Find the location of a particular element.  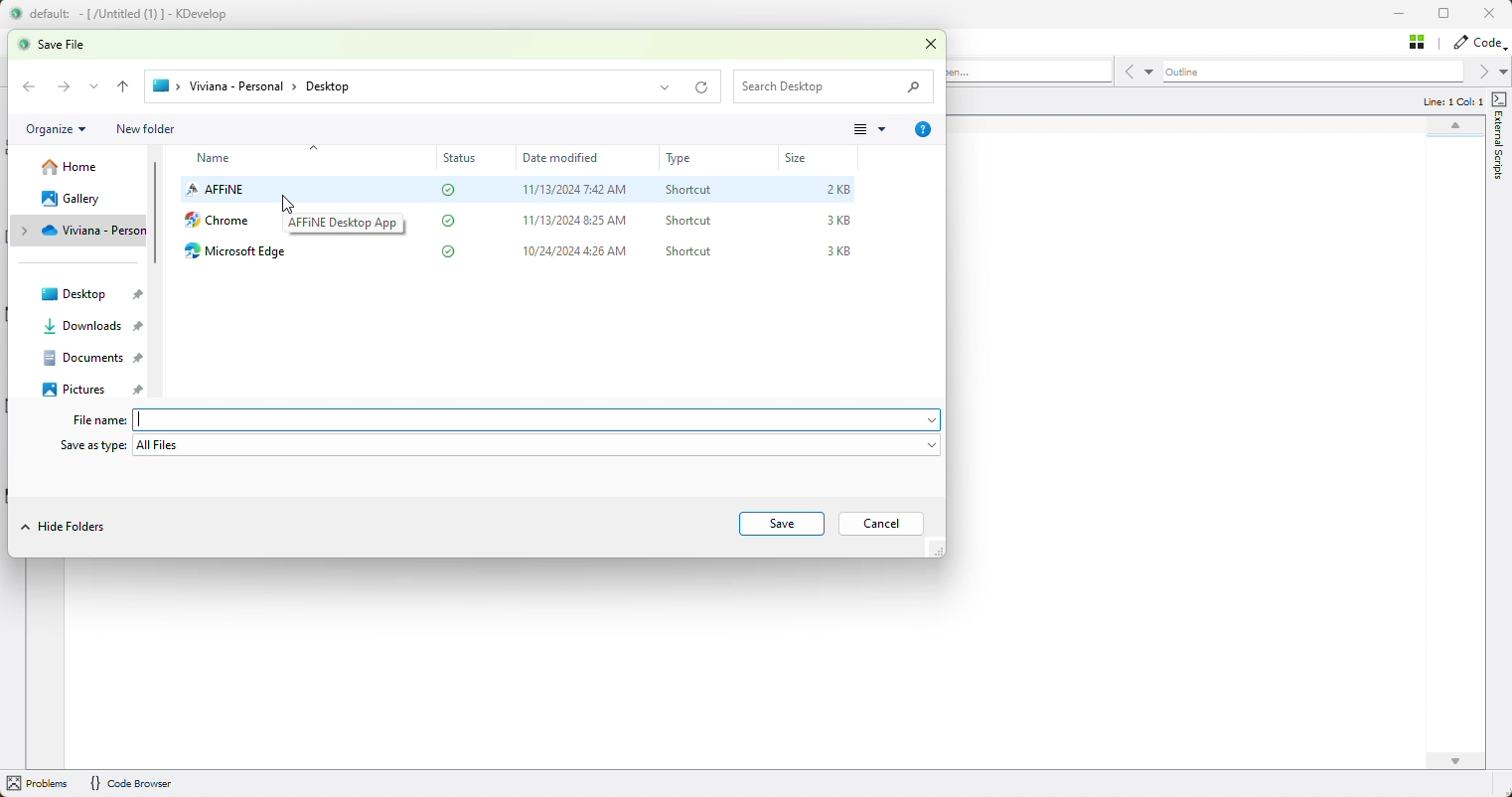

2KB is located at coordinates (840, 190).